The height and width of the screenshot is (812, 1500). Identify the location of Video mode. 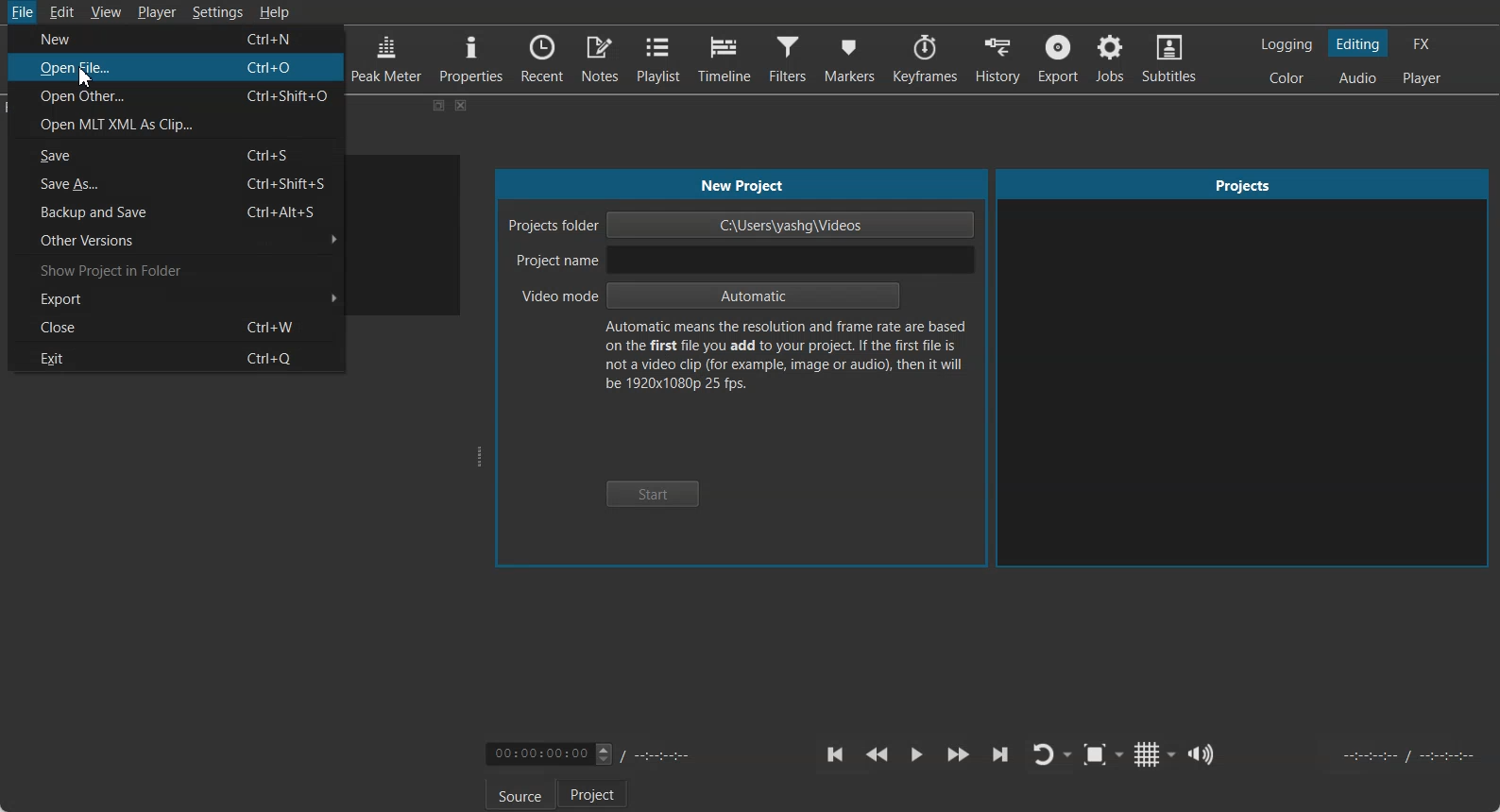
(551, 296).